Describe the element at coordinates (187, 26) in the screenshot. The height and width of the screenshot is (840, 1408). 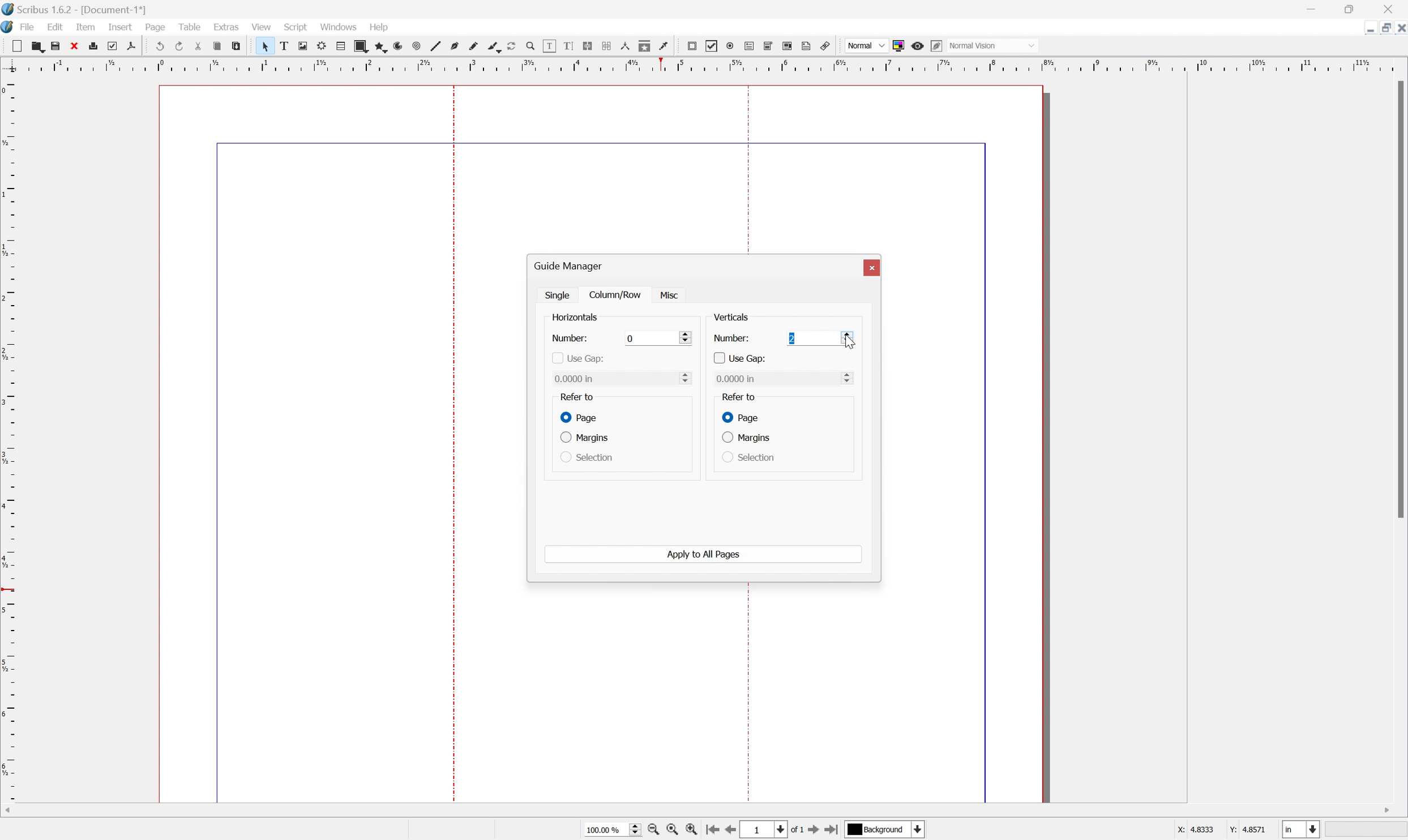
I see `table` at that location.